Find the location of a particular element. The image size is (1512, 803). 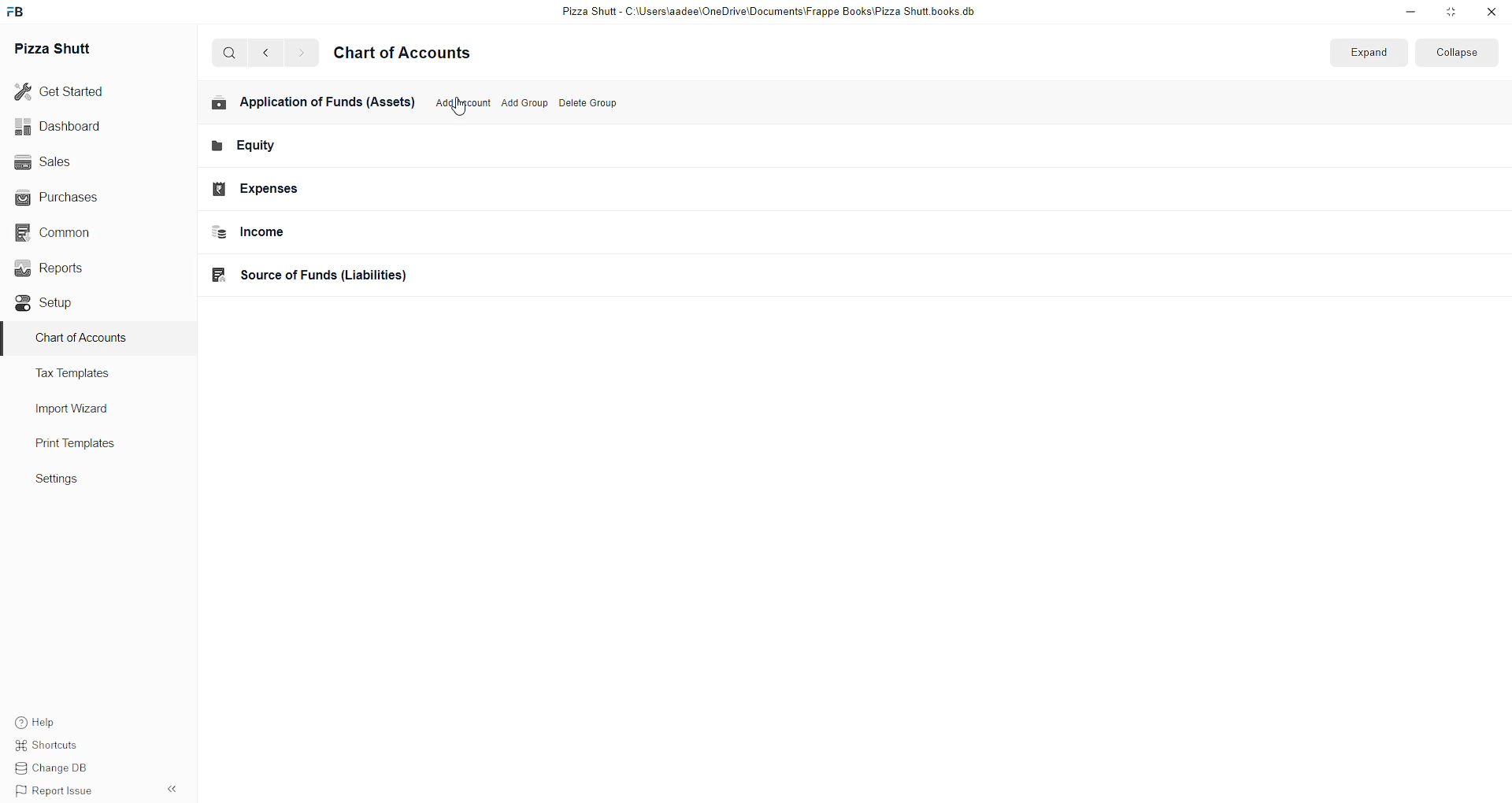

Pizza Shutt - C:\Users\aadee\OneDrive\Documents|\Frappe Books\Pizza Shutt books.db is located at coordinates (767, 13).